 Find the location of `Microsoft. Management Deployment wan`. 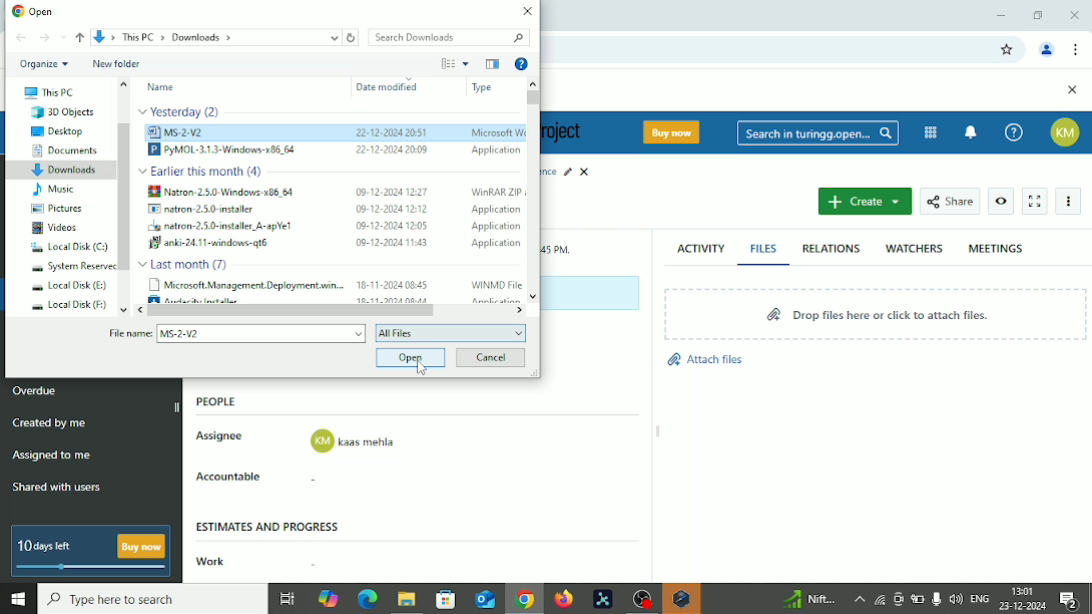

Microsoft. Management Deployment wan is located at coordinates (244, 286).